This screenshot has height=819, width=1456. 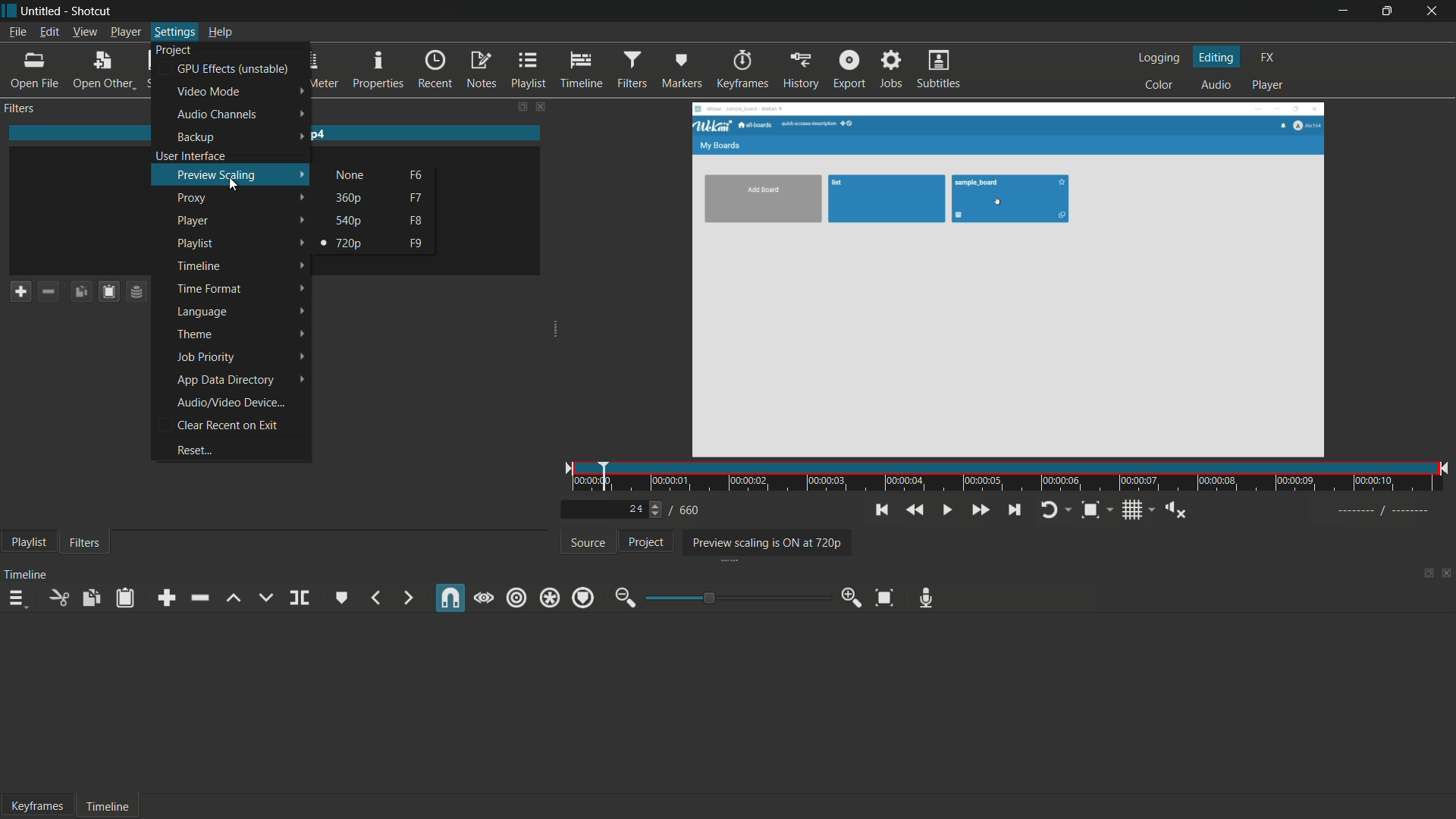 I want to click on save filters, so click(x=105, y=293).